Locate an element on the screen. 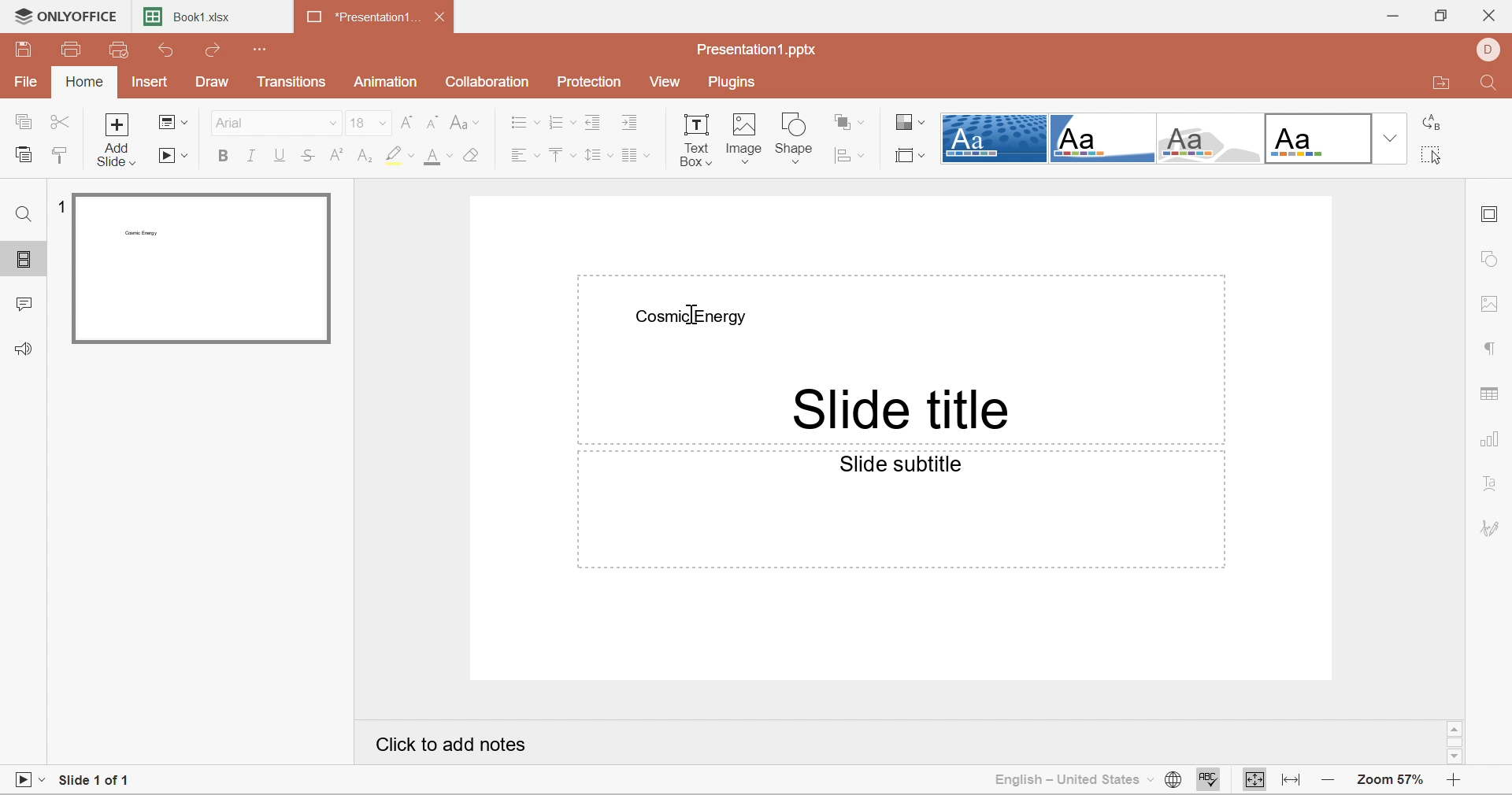 This screenshot has height=795, width=1512. Line spacing is located at coordinates (596, 156).